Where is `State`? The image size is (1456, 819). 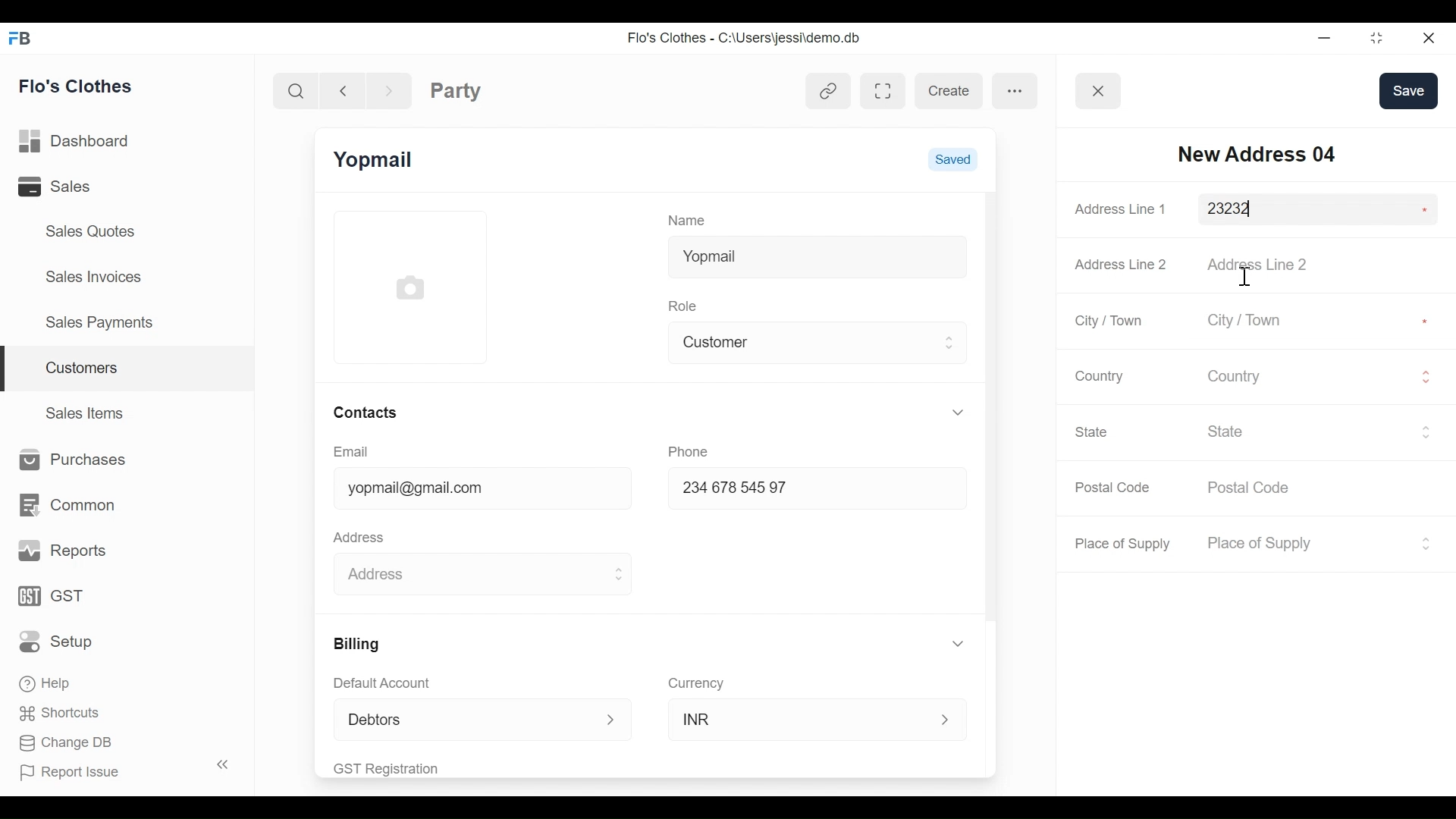 State is located at coordinates (1308, 431).